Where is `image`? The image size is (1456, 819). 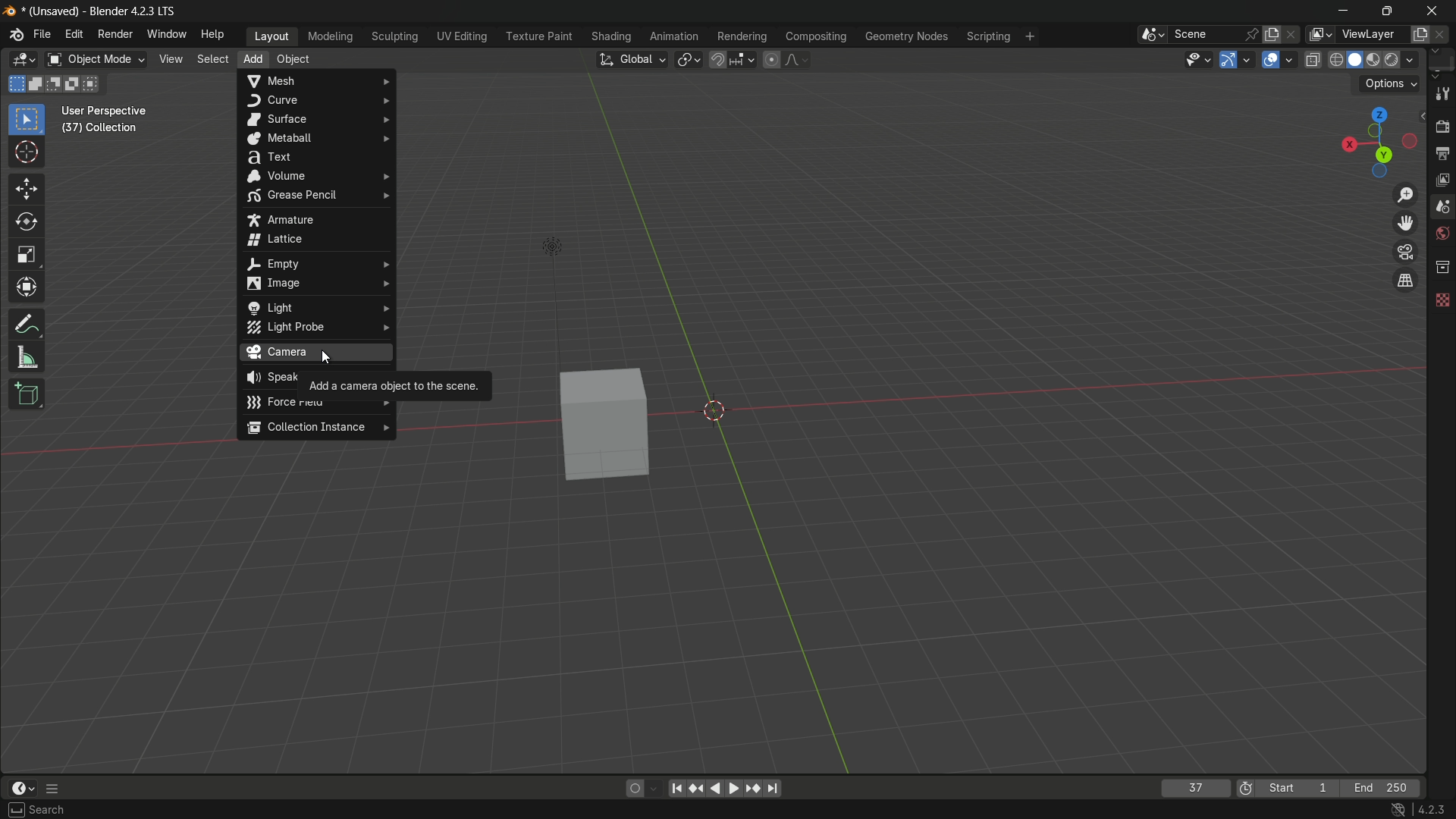
image is located at coordinates (315, 284).